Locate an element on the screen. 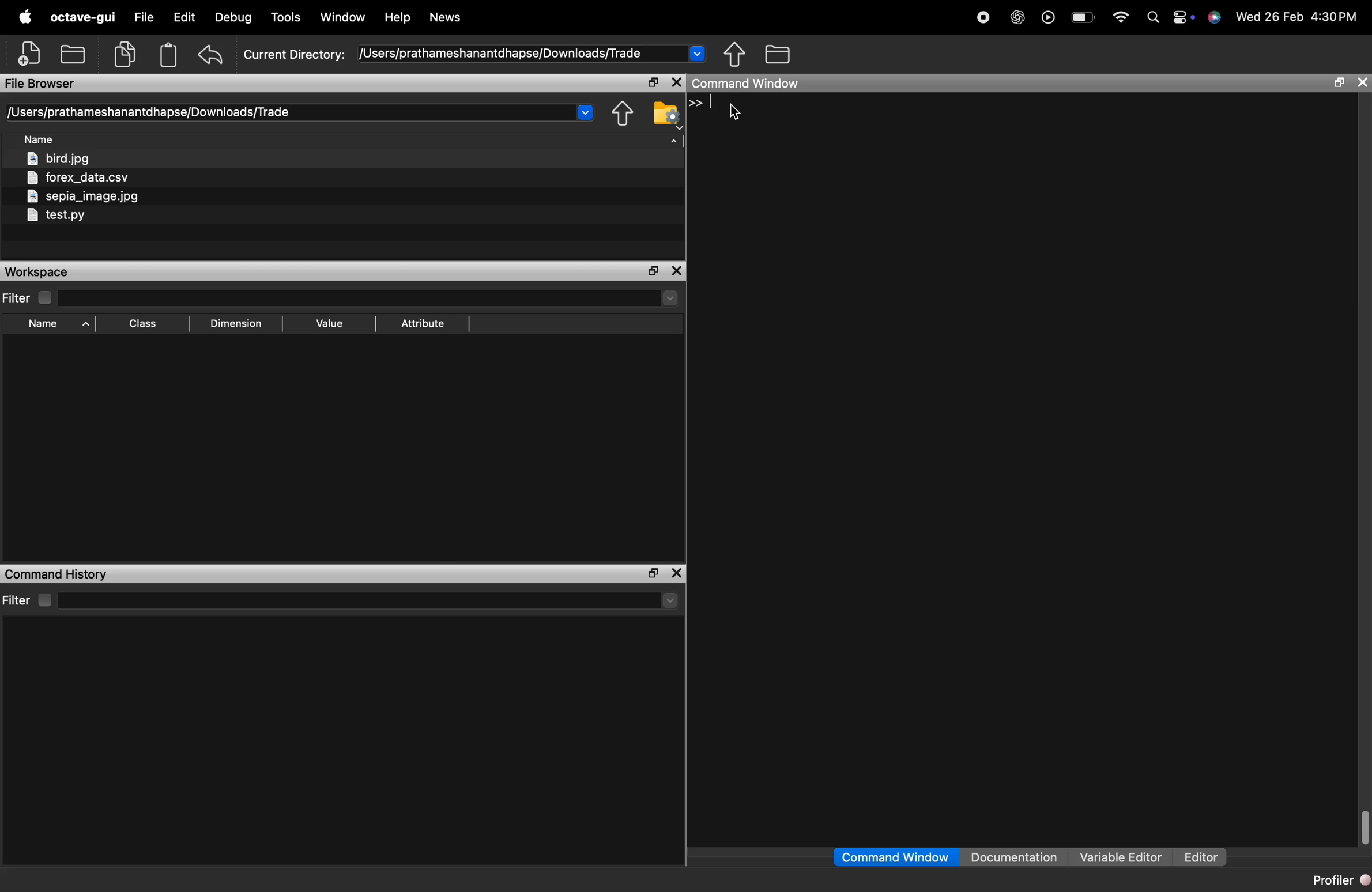 The image size is (1372, 892). cursor is located at coordinates (736, 112).